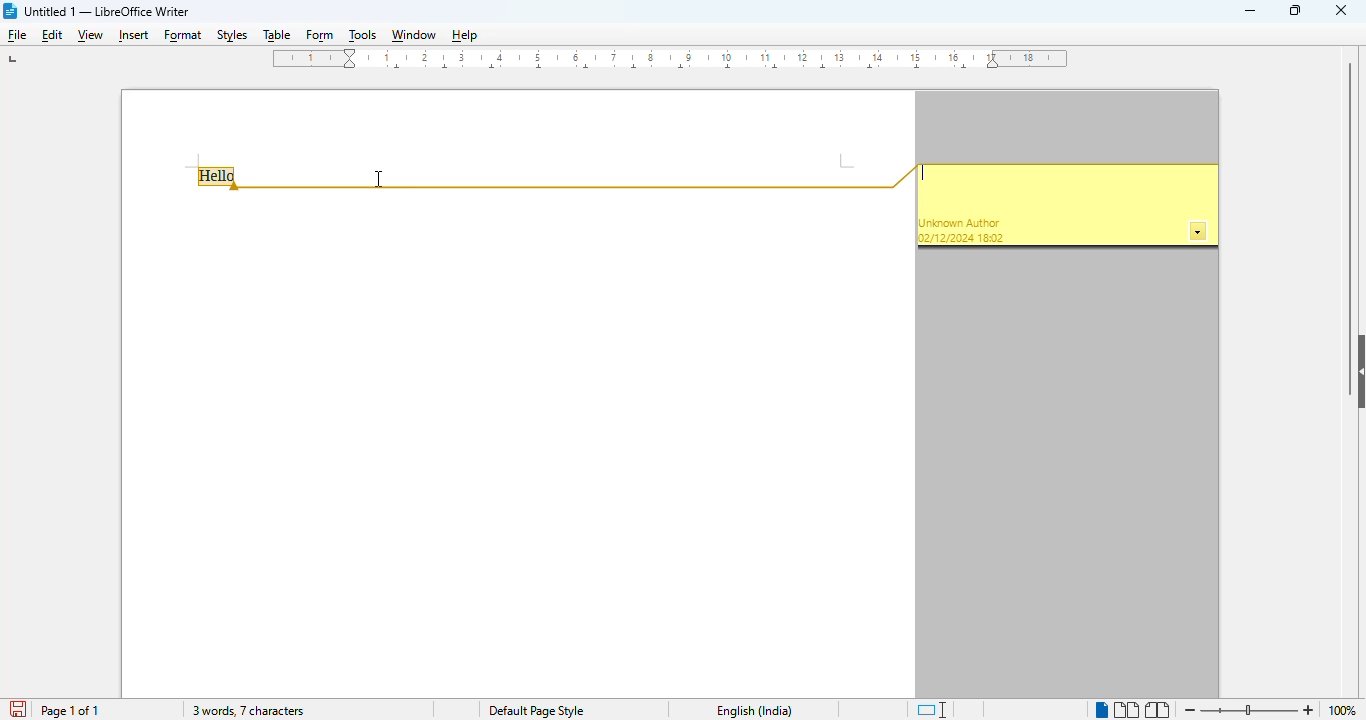  I want to click on unknown anchor, so click(960, 223).